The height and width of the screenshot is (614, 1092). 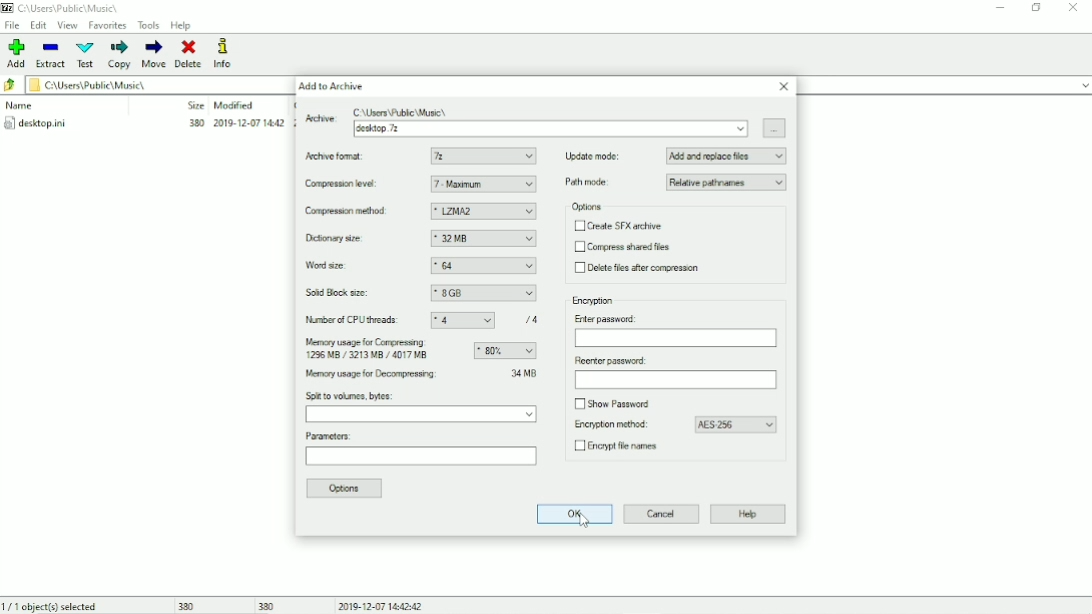 What do you see at coordinates (621, 448) in the screenshot?
I see `Encrypt file names` at bounding box center [621, 448].